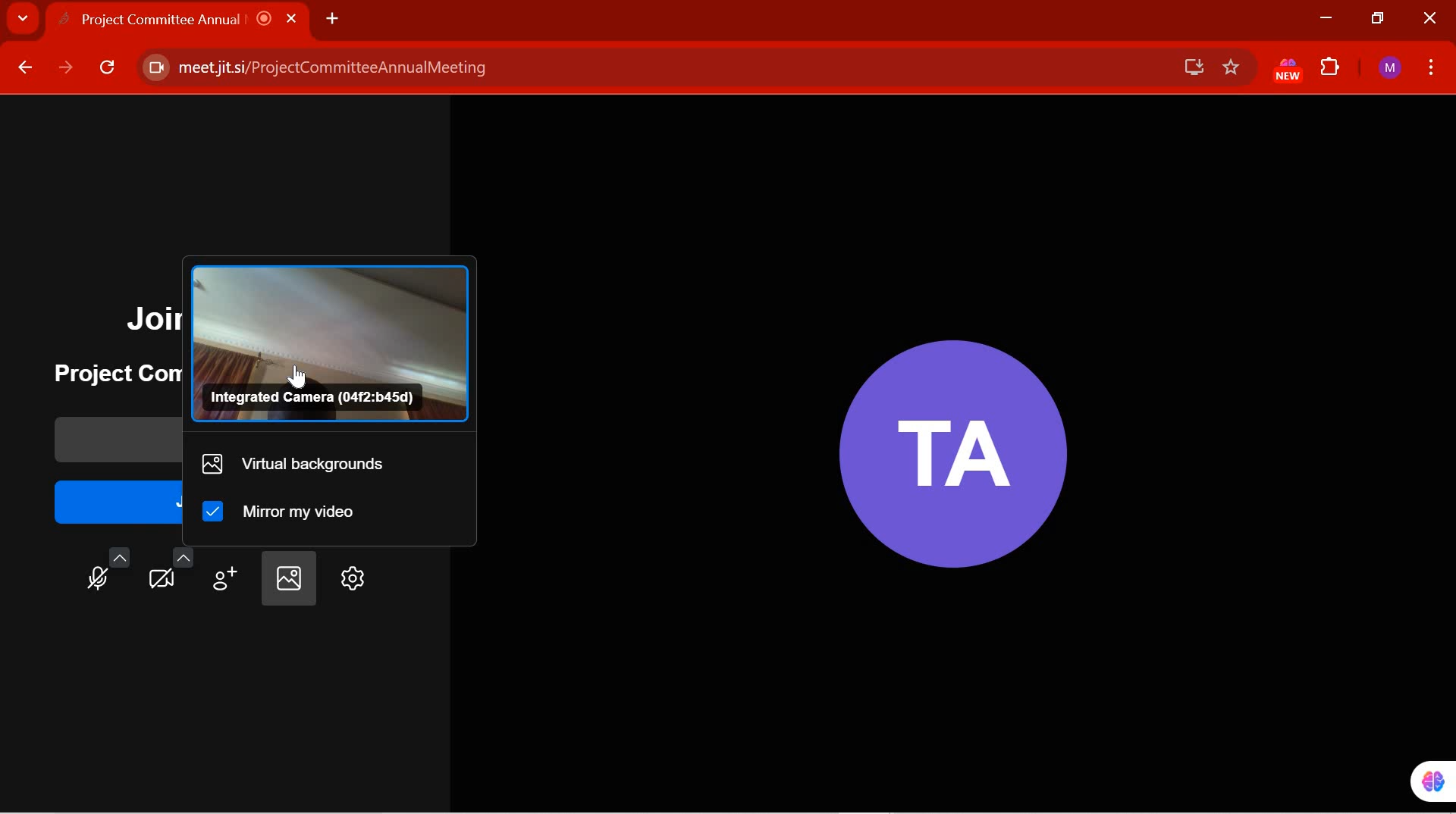 The image size is (1456, 814). What do you see at coordinates (304, 385) in the screenshot?
I see `cursor` at bounding box center [304, 385].